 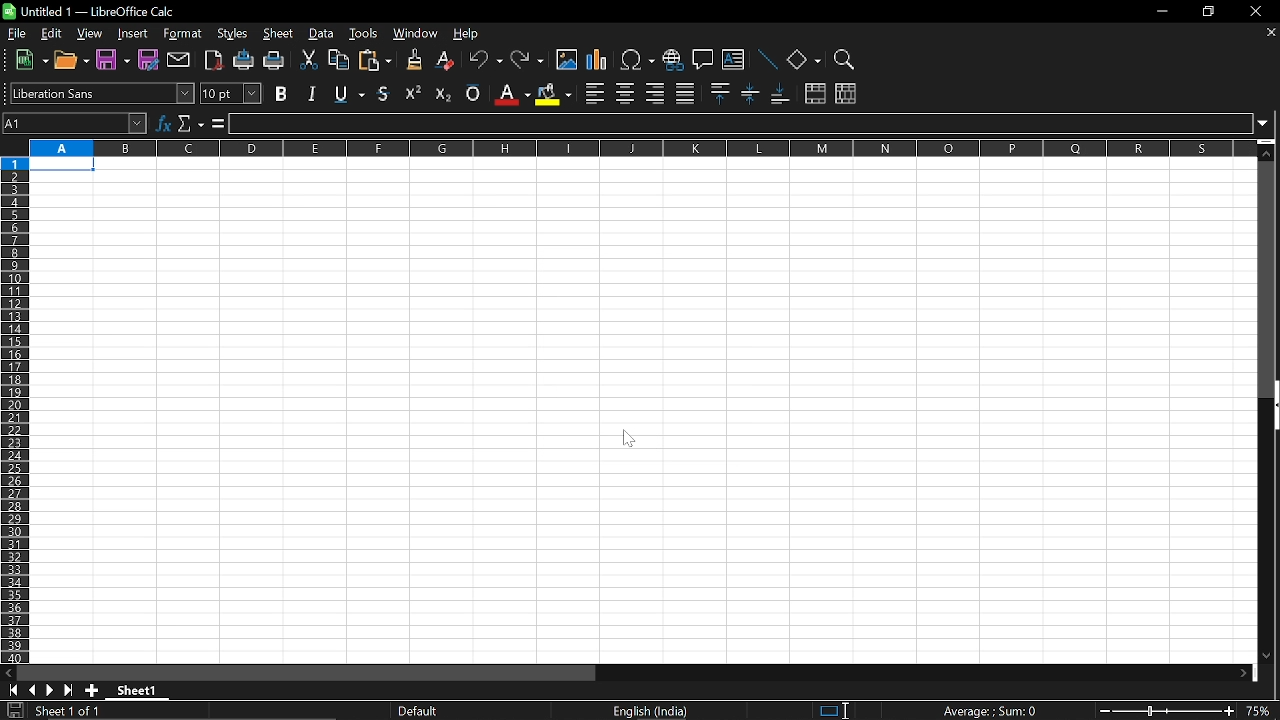 I want to click on input line, so click(x=742, y=124).